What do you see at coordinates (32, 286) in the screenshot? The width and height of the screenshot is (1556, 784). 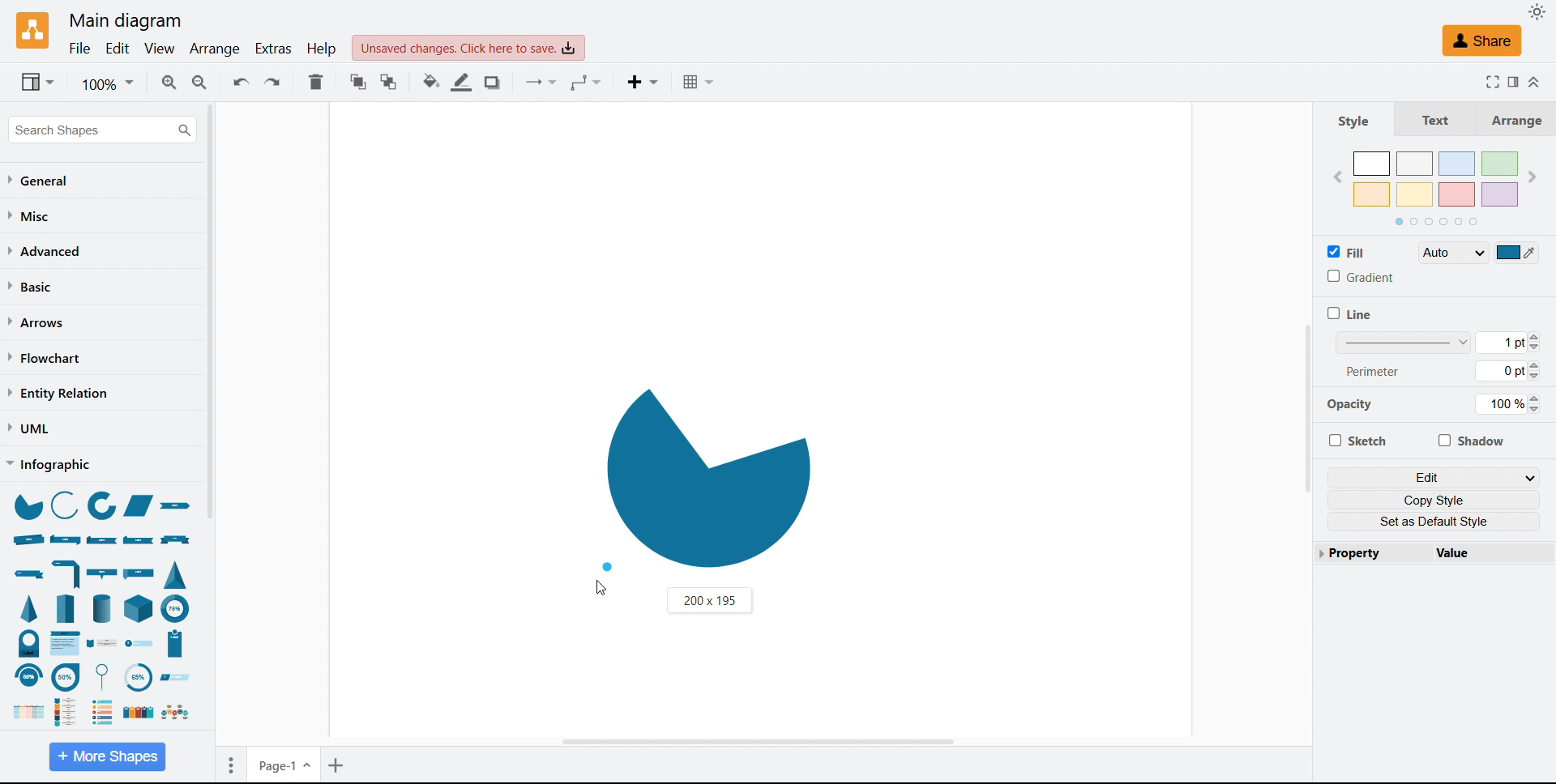 I see `Basic ` at bounding box center [32, 286].